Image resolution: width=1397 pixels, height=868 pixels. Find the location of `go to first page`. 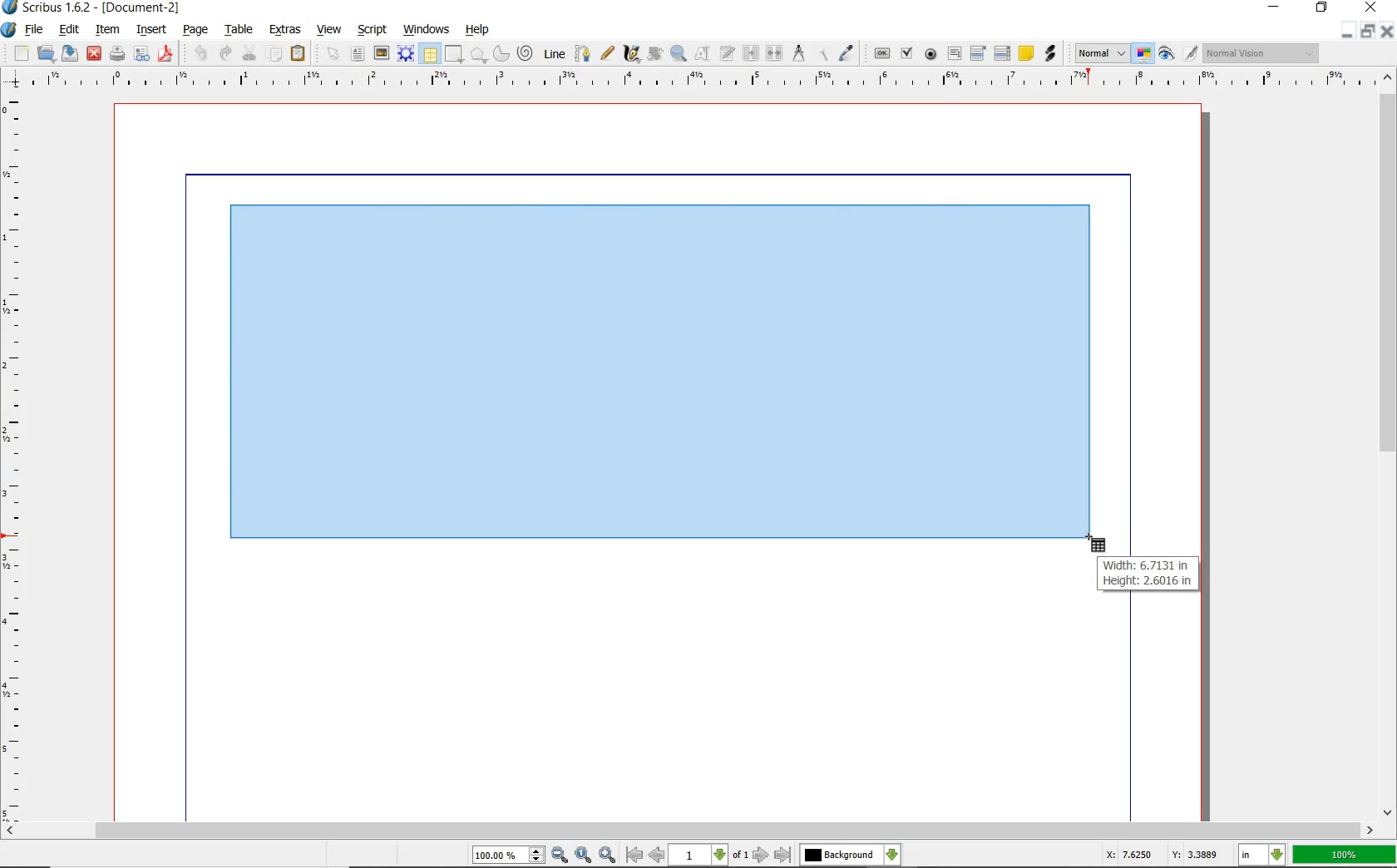

go to first page is located at coordinates (634, 856).